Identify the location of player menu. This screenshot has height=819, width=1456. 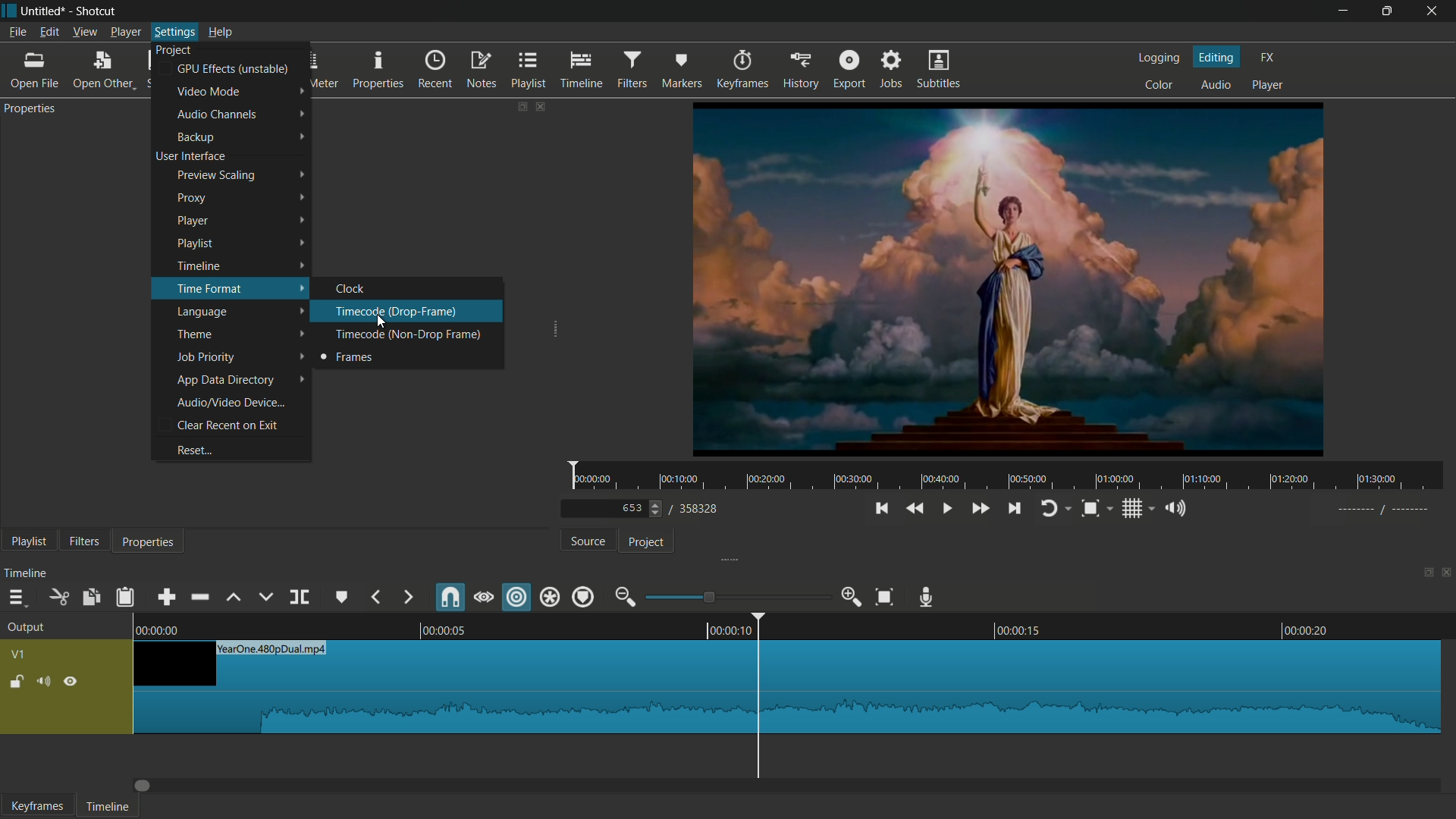
(127, 32).